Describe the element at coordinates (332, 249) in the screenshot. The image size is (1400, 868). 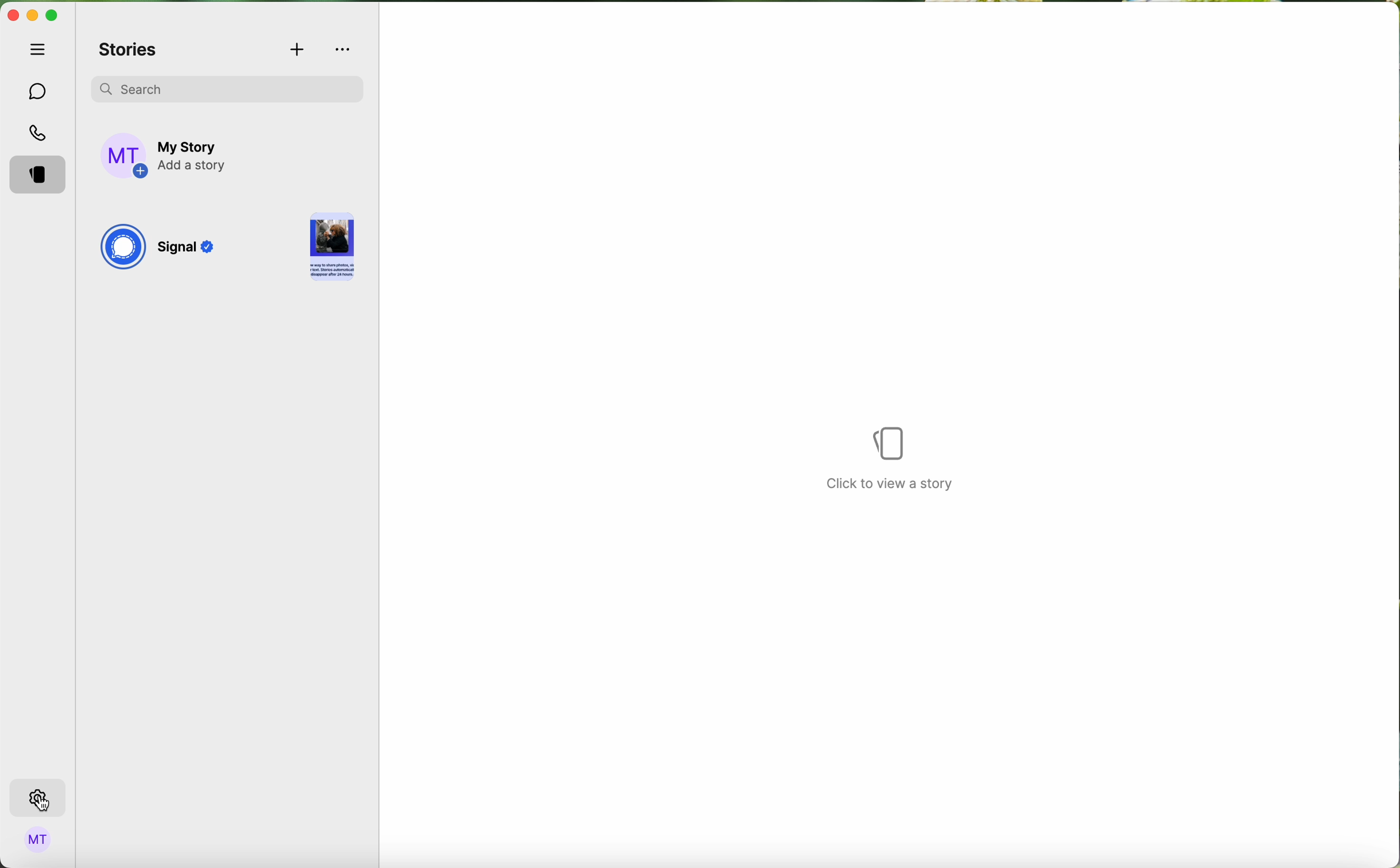
I see `story` at that location.